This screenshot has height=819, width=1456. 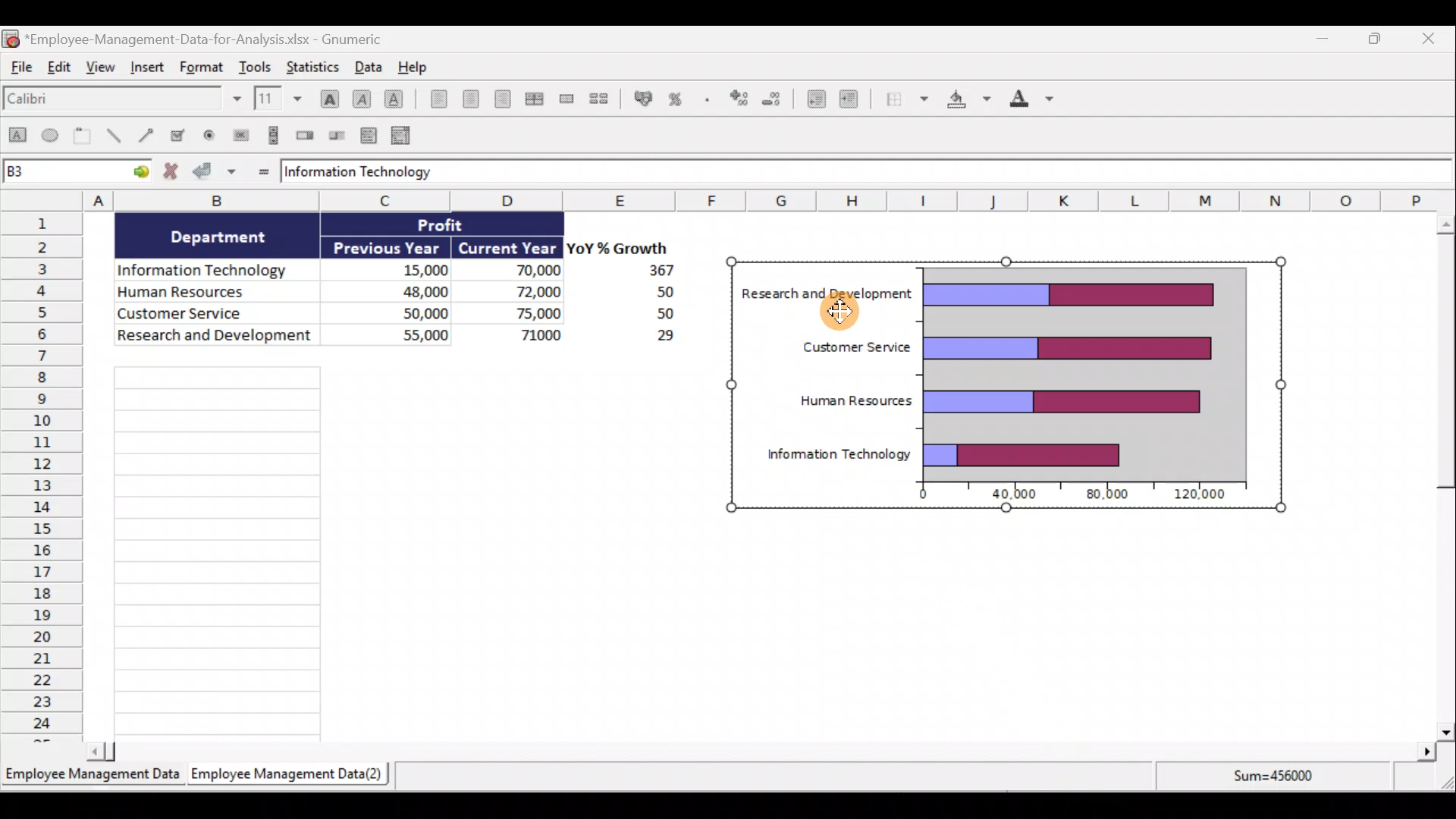 I want to click on Create a radio button, so click(x=212, y=134).